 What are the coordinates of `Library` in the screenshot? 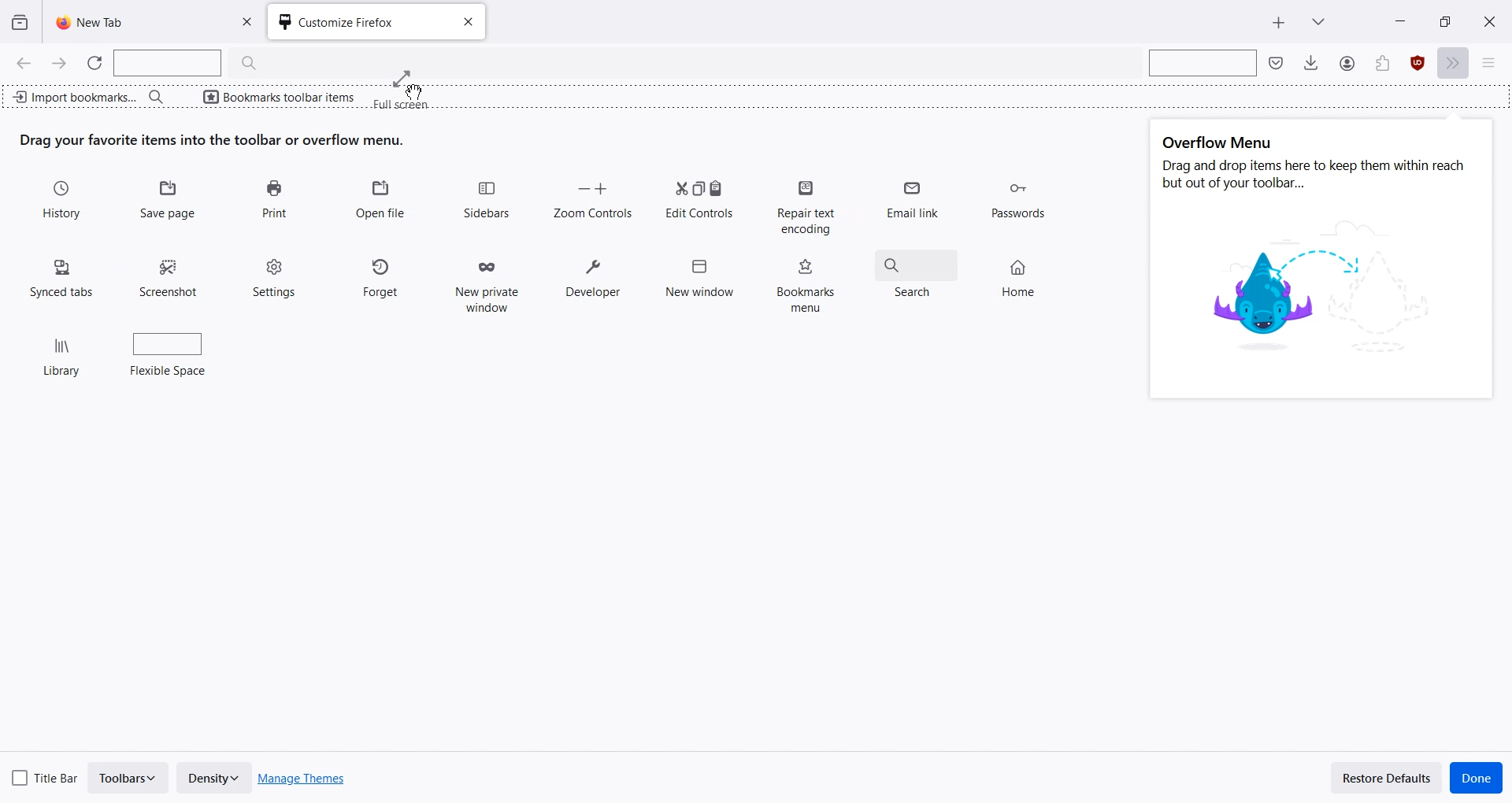 It's located at (65, 350).